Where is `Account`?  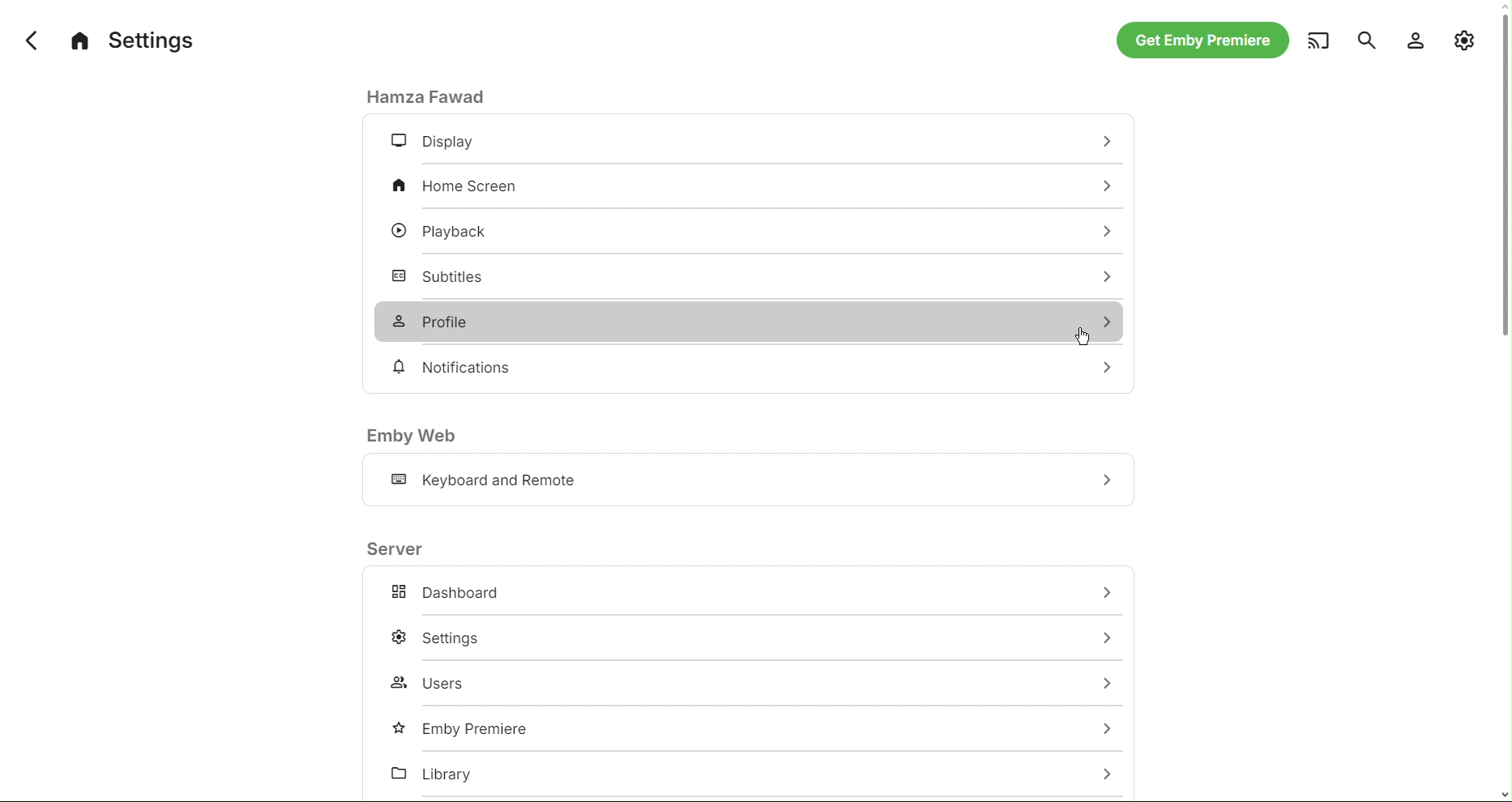
Account is located at coordinates (1415, 41).